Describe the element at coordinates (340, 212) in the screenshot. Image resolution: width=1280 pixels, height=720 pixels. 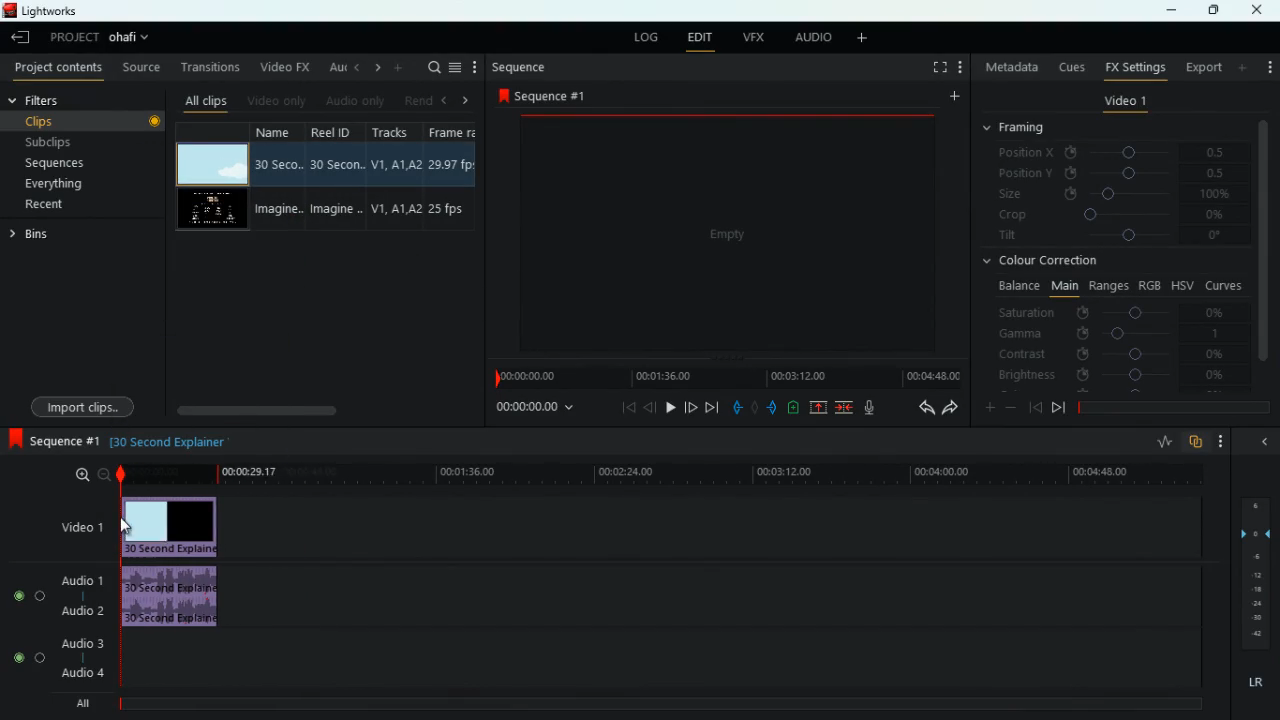
I see `Imagine..` at that location.